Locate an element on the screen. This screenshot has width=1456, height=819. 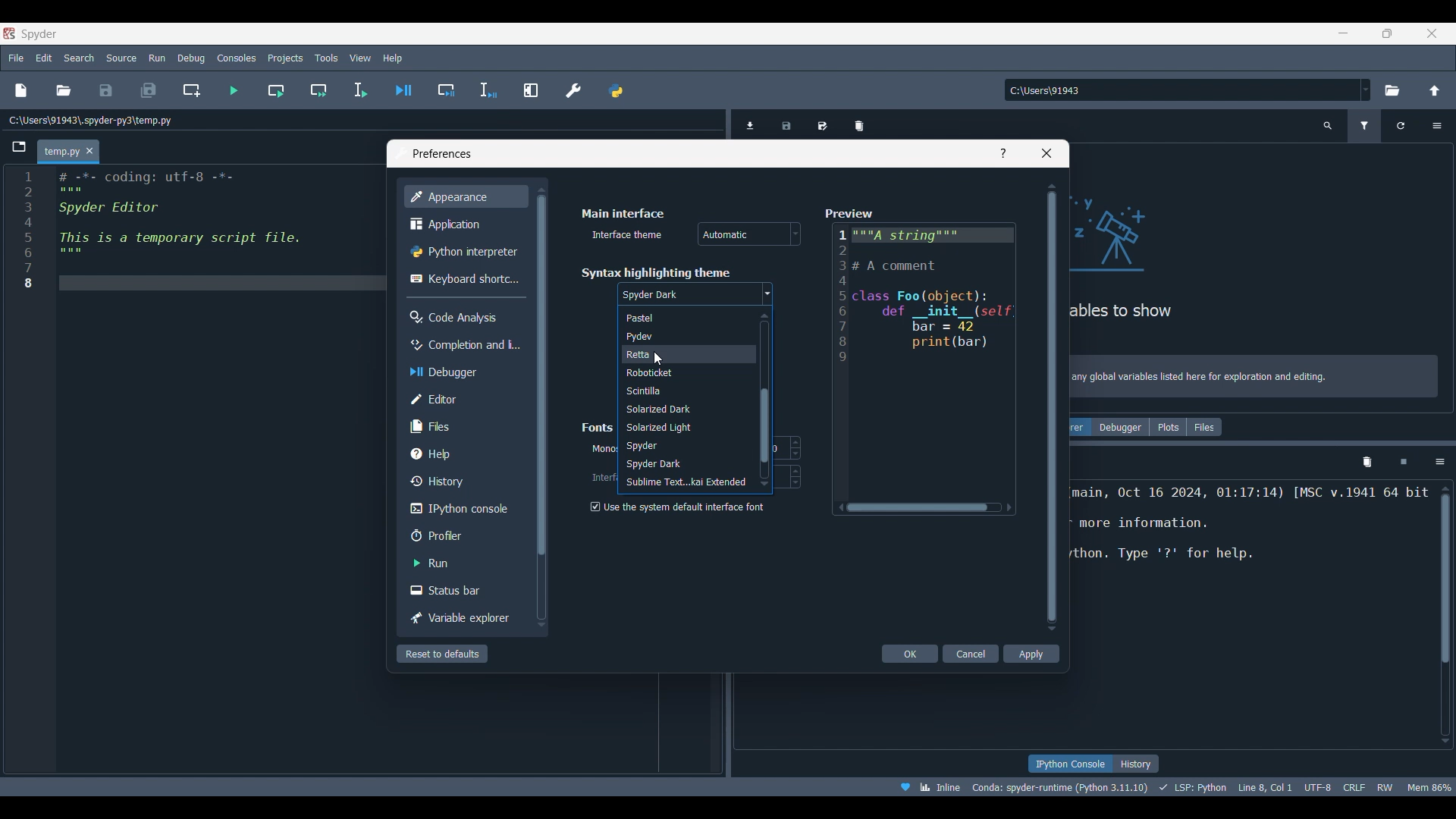
Reset to defaults is located at coordinates (442, 654).